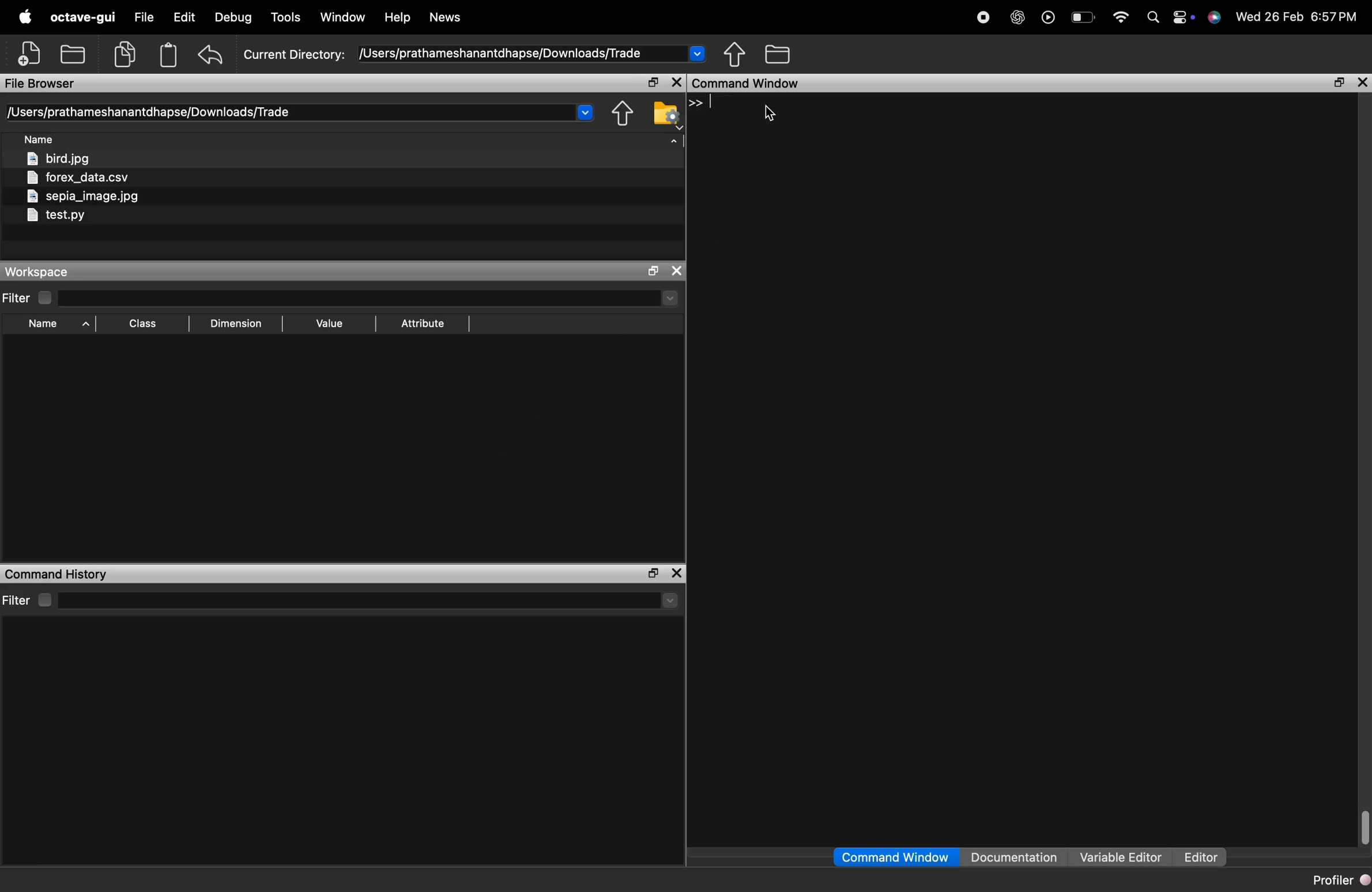 Image resolution: width=1372 pixels, height=892 pixels. Describe the element at coordinates (31, 53) in the screenshot. I see `new script` at that location.